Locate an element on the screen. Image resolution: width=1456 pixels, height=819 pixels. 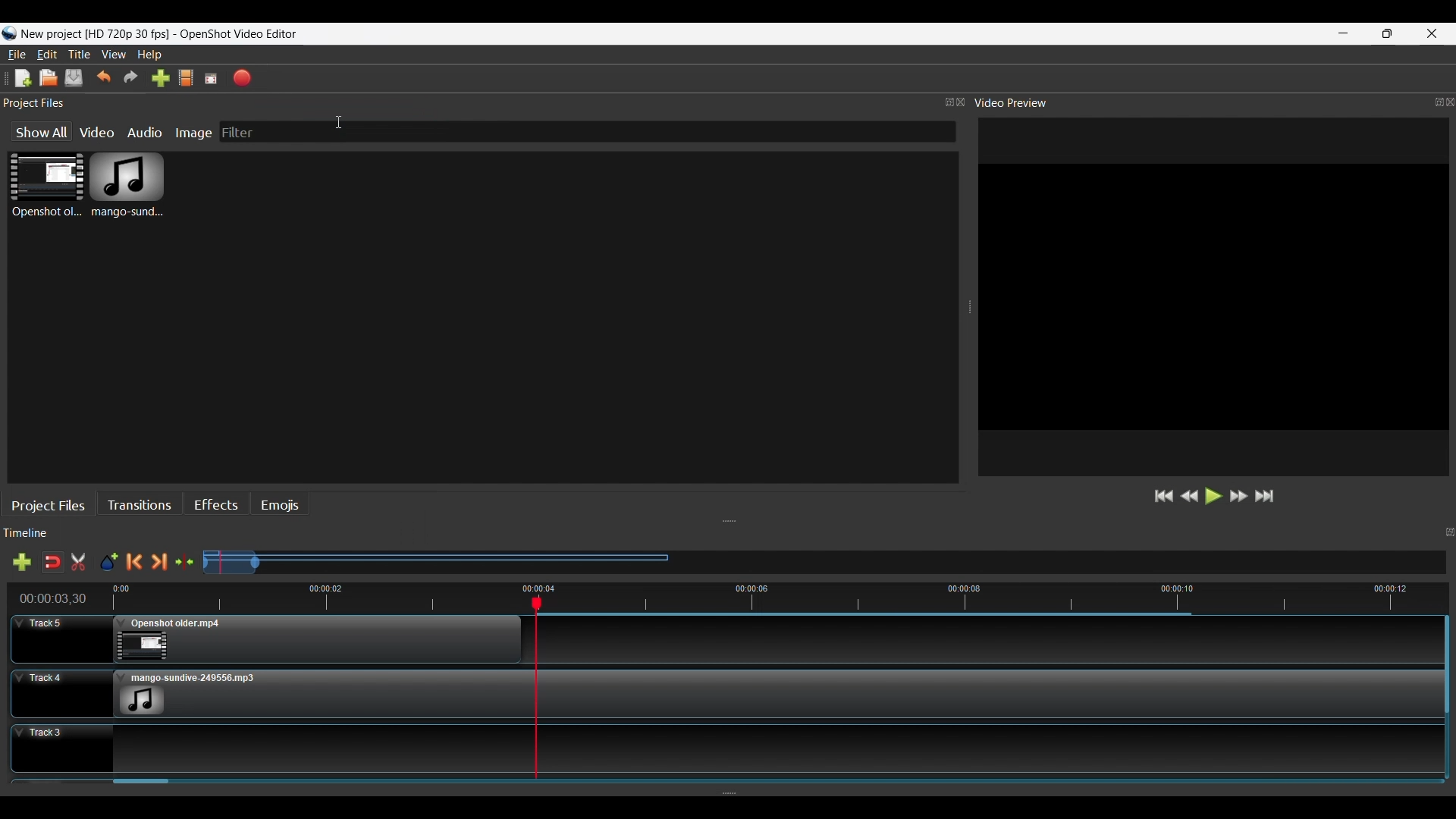
maximize is located at coordinates (940, 99).